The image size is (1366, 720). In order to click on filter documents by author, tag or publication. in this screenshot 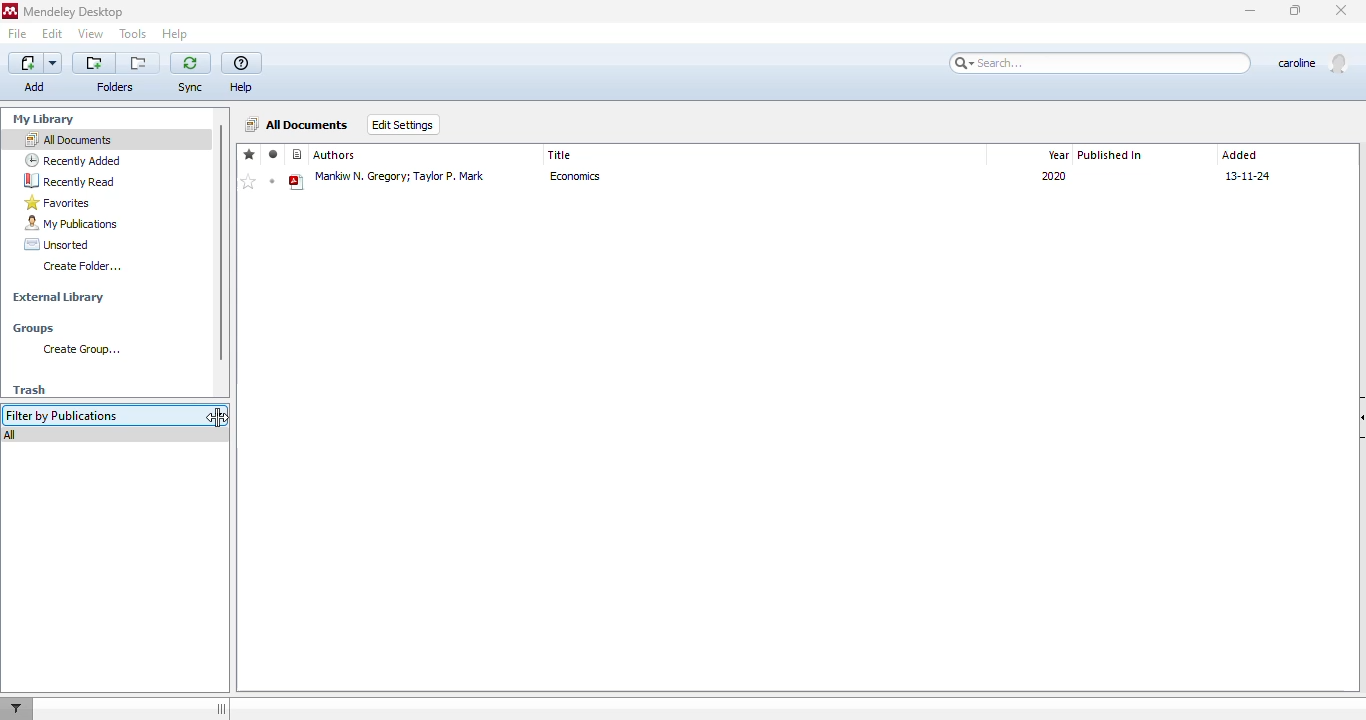, I will do `click(20, 709)`.